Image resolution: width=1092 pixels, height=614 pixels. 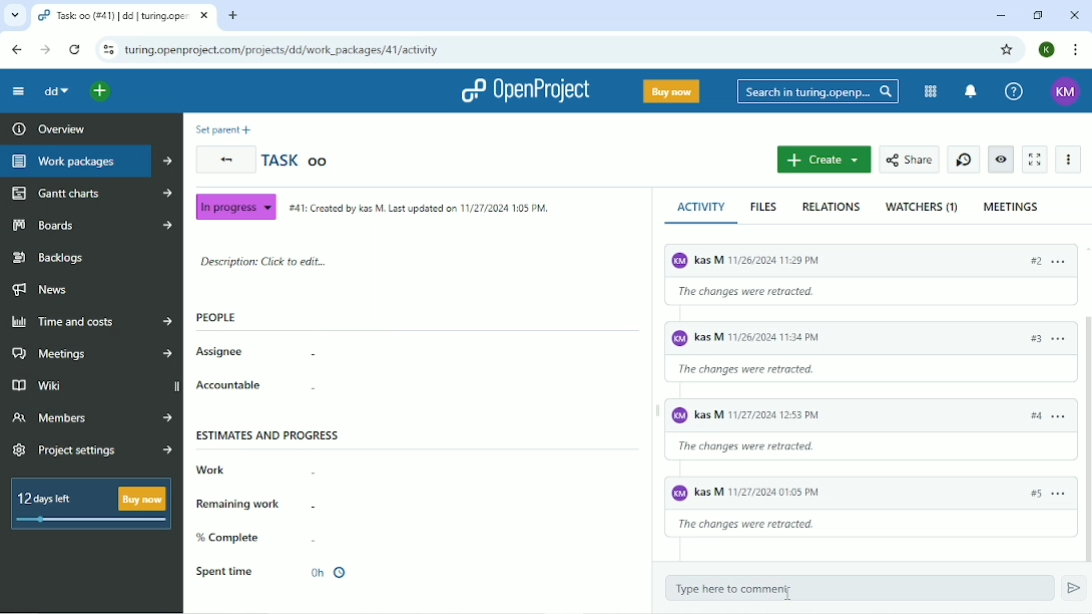 I want to click on Help, so click(x=1014, y=90).